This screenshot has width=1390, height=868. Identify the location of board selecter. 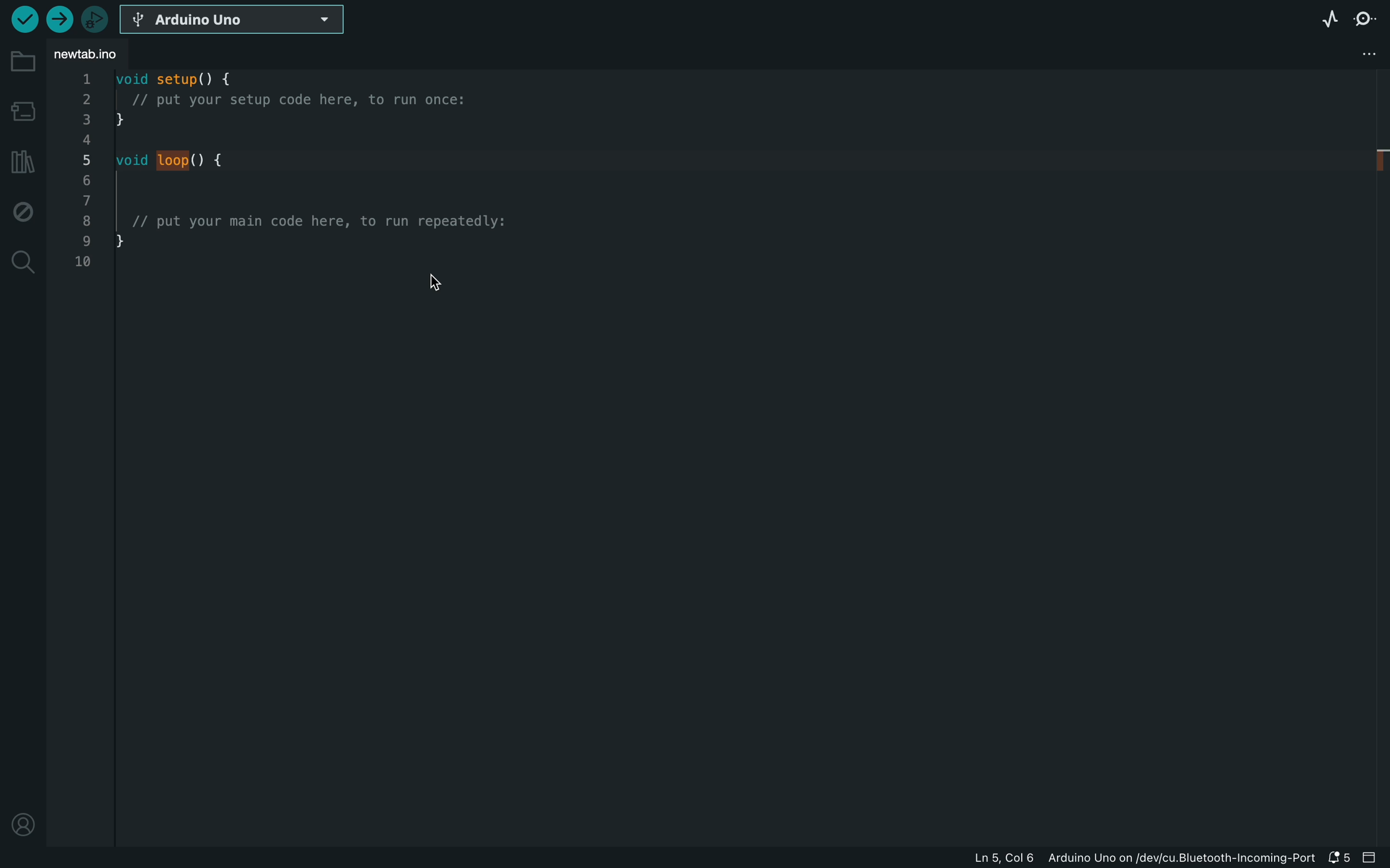
(235, 20).